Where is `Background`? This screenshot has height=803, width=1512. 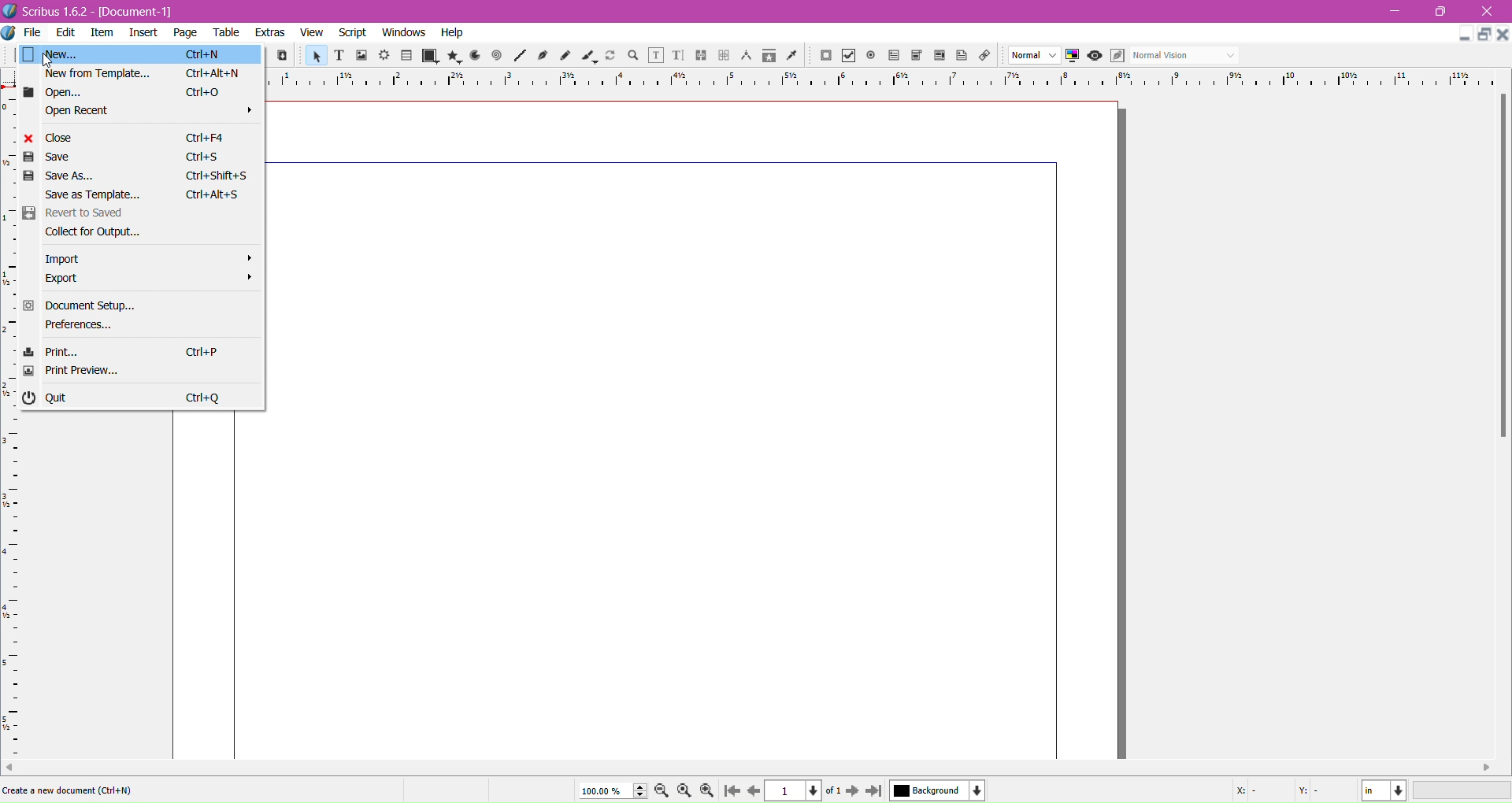
Background is located at coordinates (943, 791).